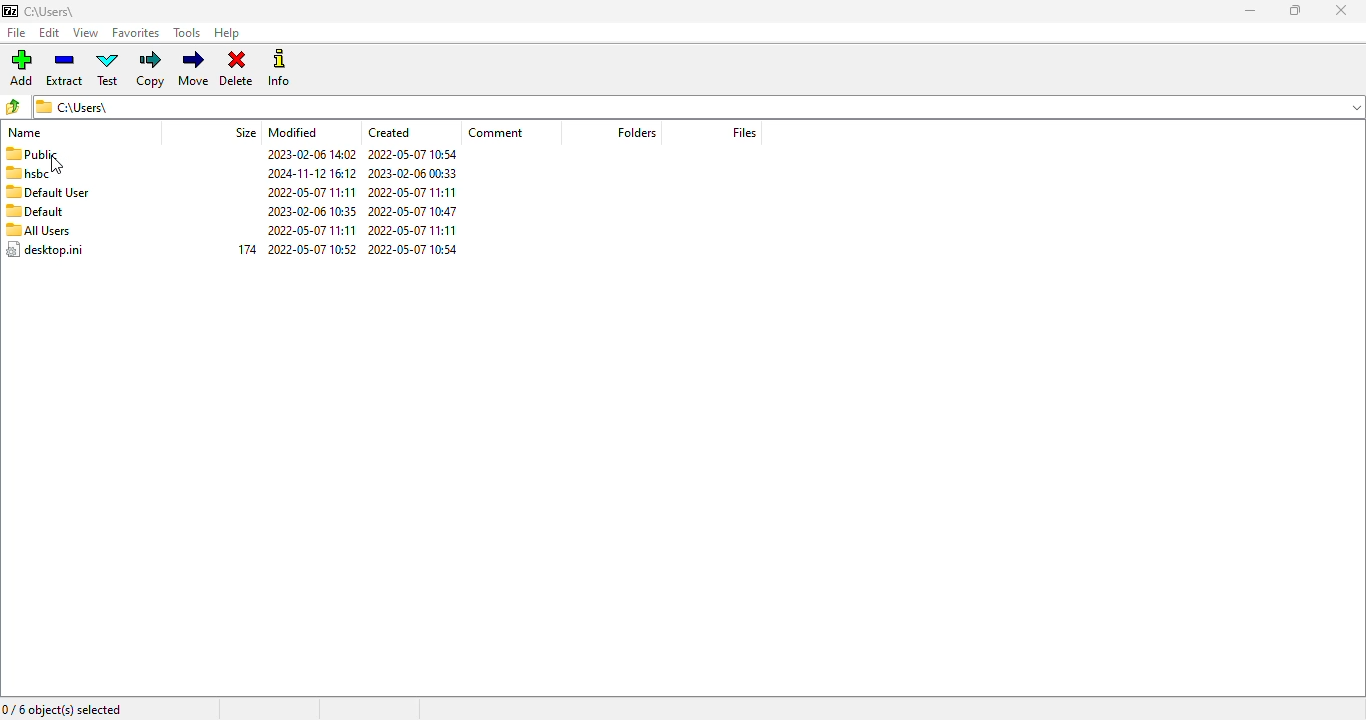  What do you see at coordinates (412, 192) in the screenshot?
I see `2022-05-07 11:11` at bounding box center [412, 192].